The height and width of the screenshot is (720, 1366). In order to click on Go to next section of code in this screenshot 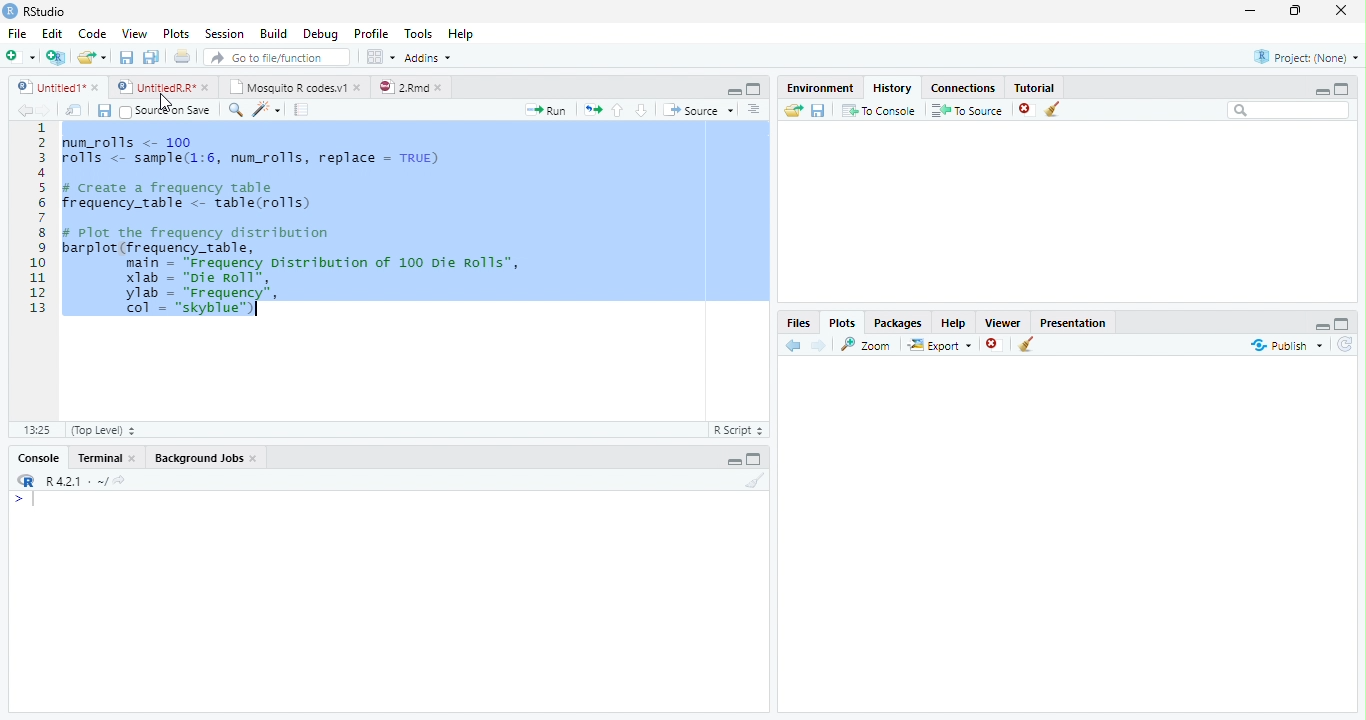, I will do `click(642, 110)`.